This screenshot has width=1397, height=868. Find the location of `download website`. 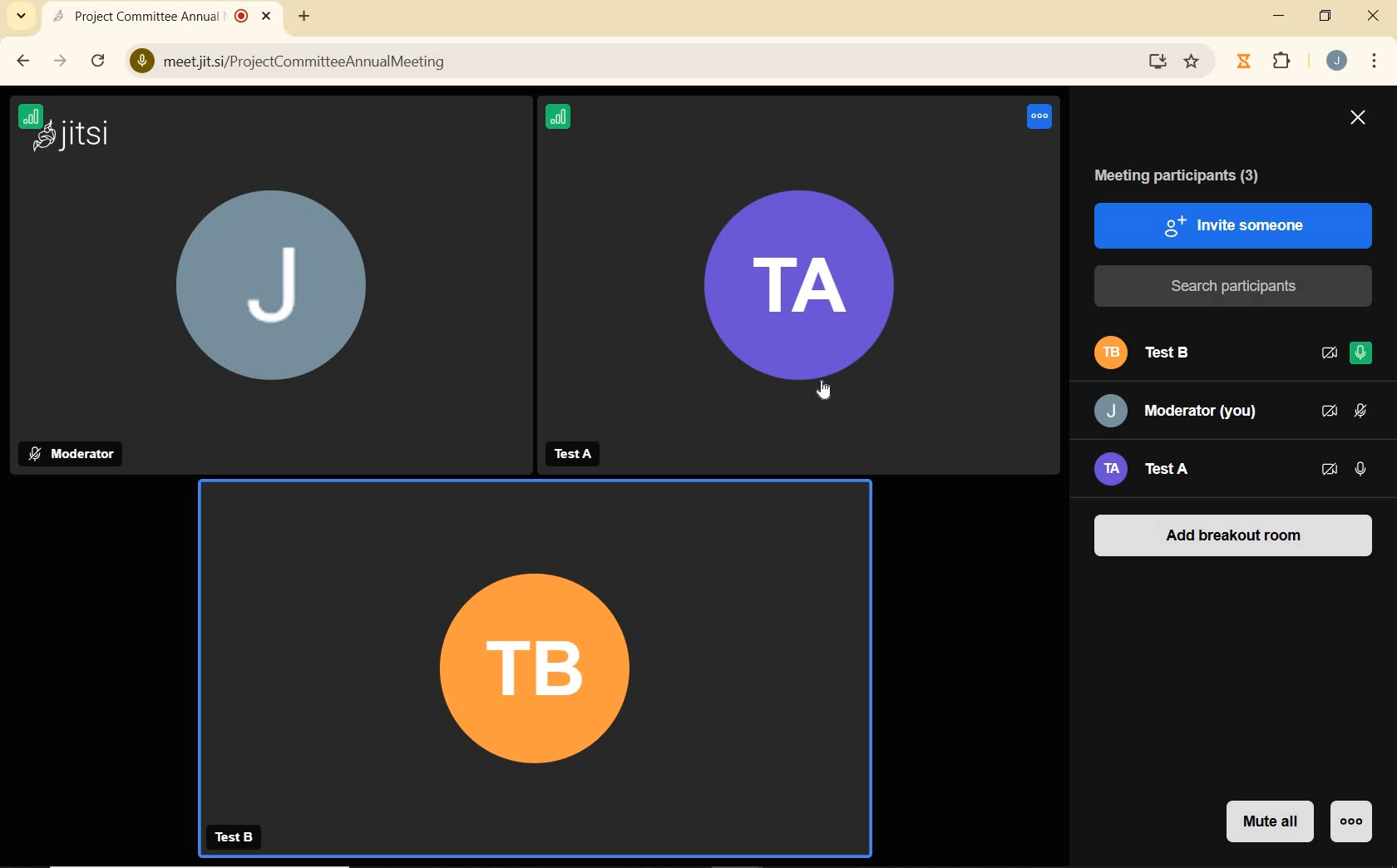

download website is located at coordinates (1159, 60).